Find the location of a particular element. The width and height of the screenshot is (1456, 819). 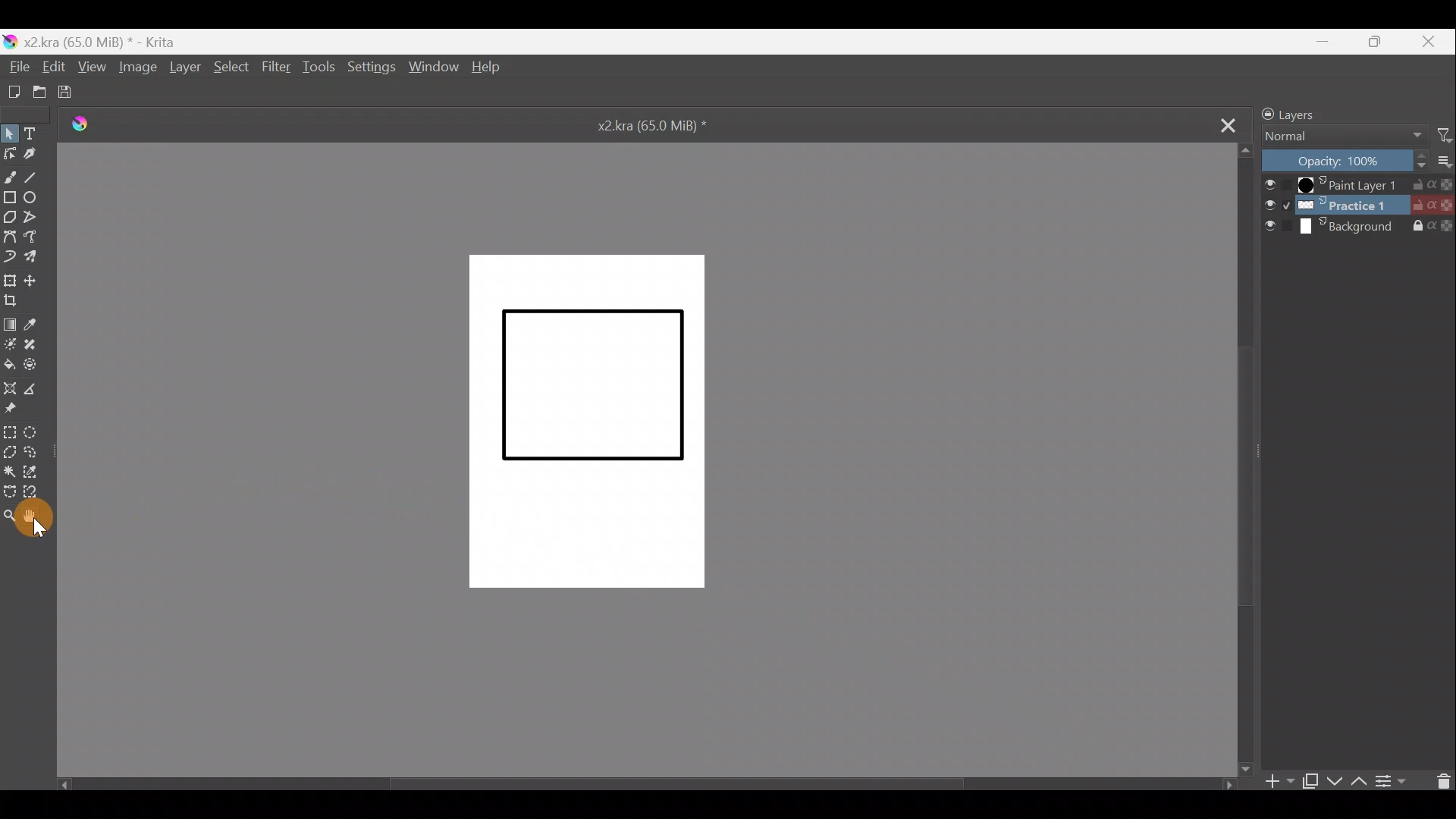

Layer 2 is located at coordinates (1357, 207).